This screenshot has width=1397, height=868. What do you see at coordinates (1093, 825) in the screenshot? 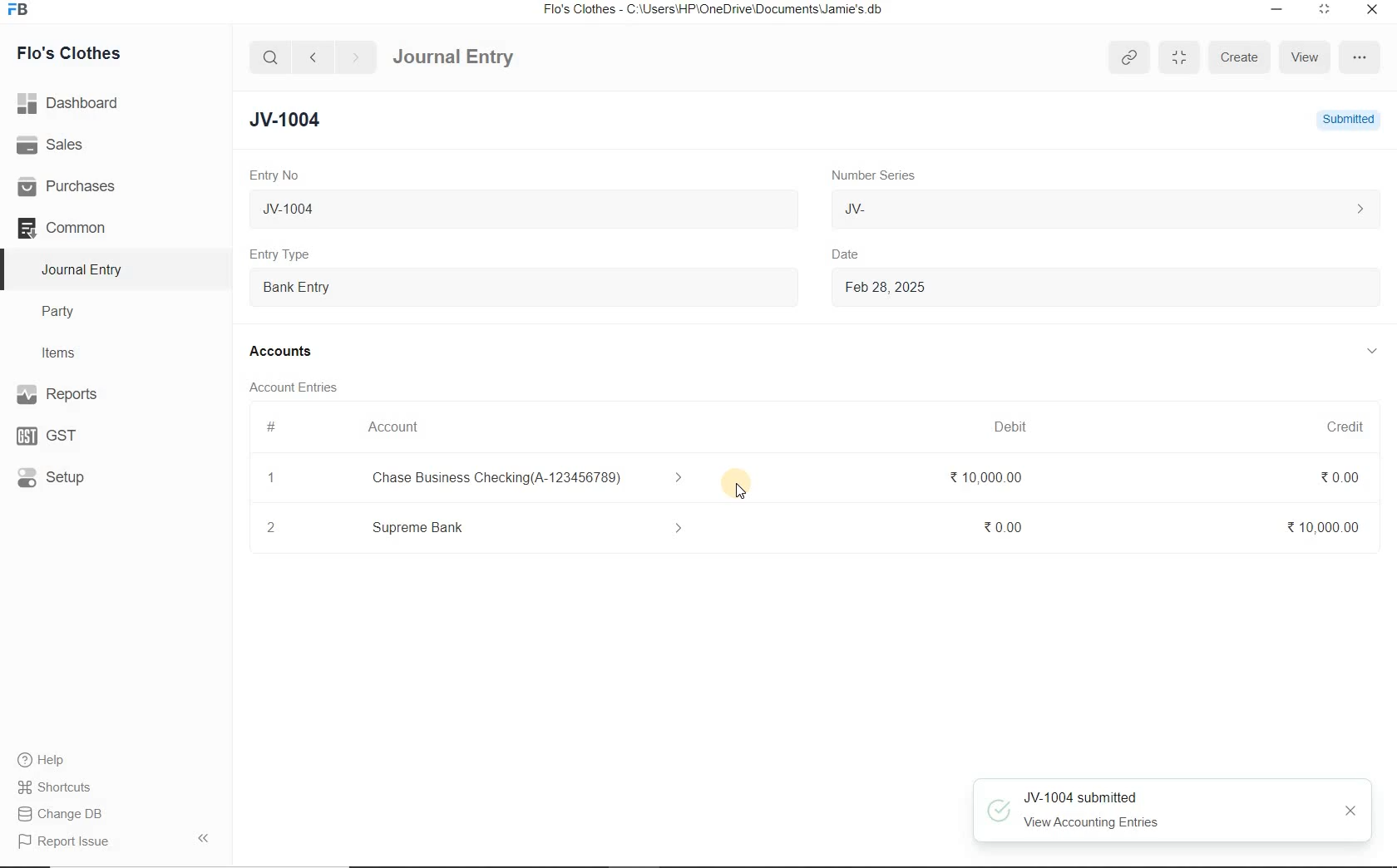
I see `View Accounting Entries` at bounding box center [1093, 825].